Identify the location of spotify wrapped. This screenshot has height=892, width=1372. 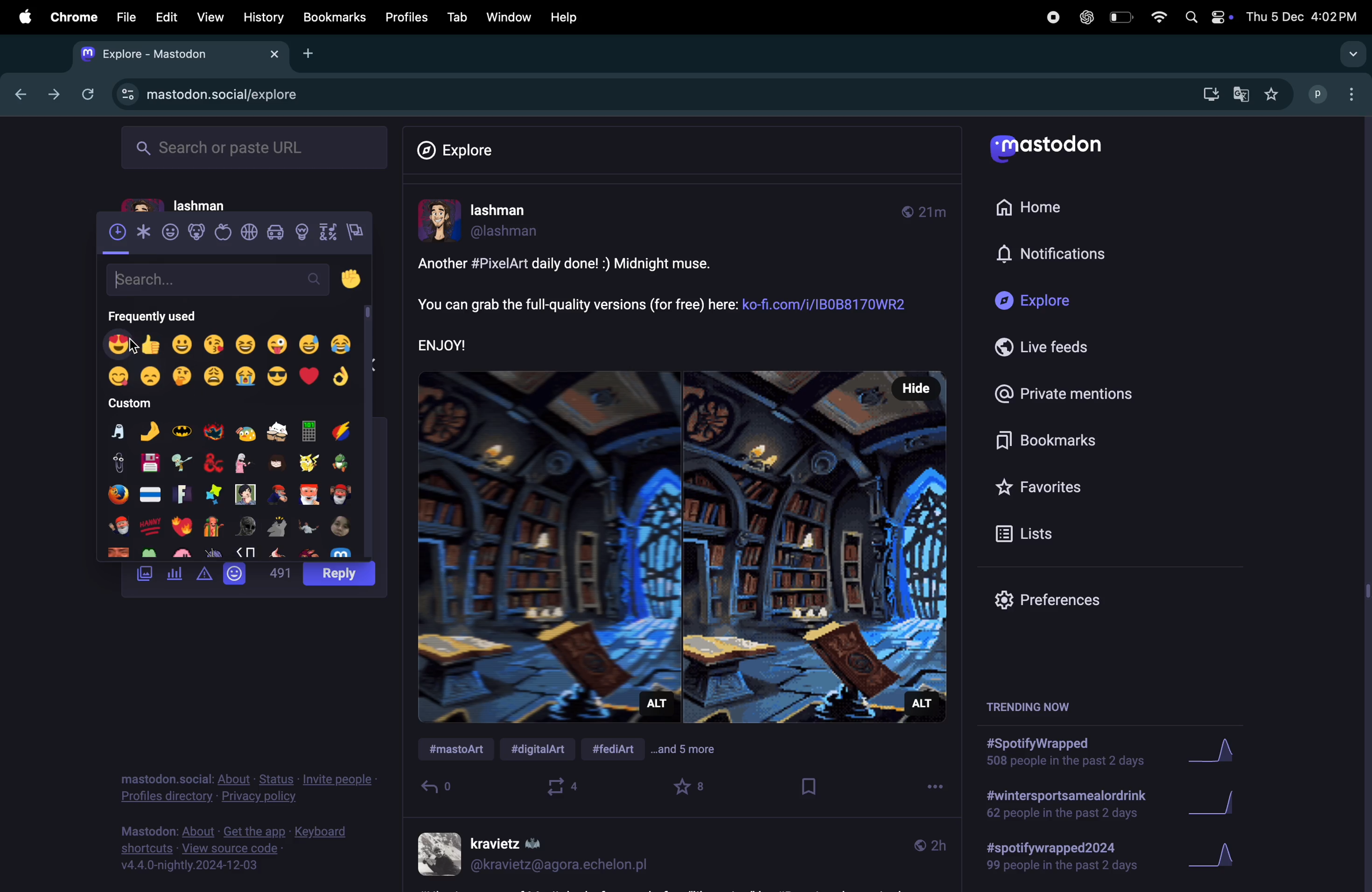
(1069, 861).